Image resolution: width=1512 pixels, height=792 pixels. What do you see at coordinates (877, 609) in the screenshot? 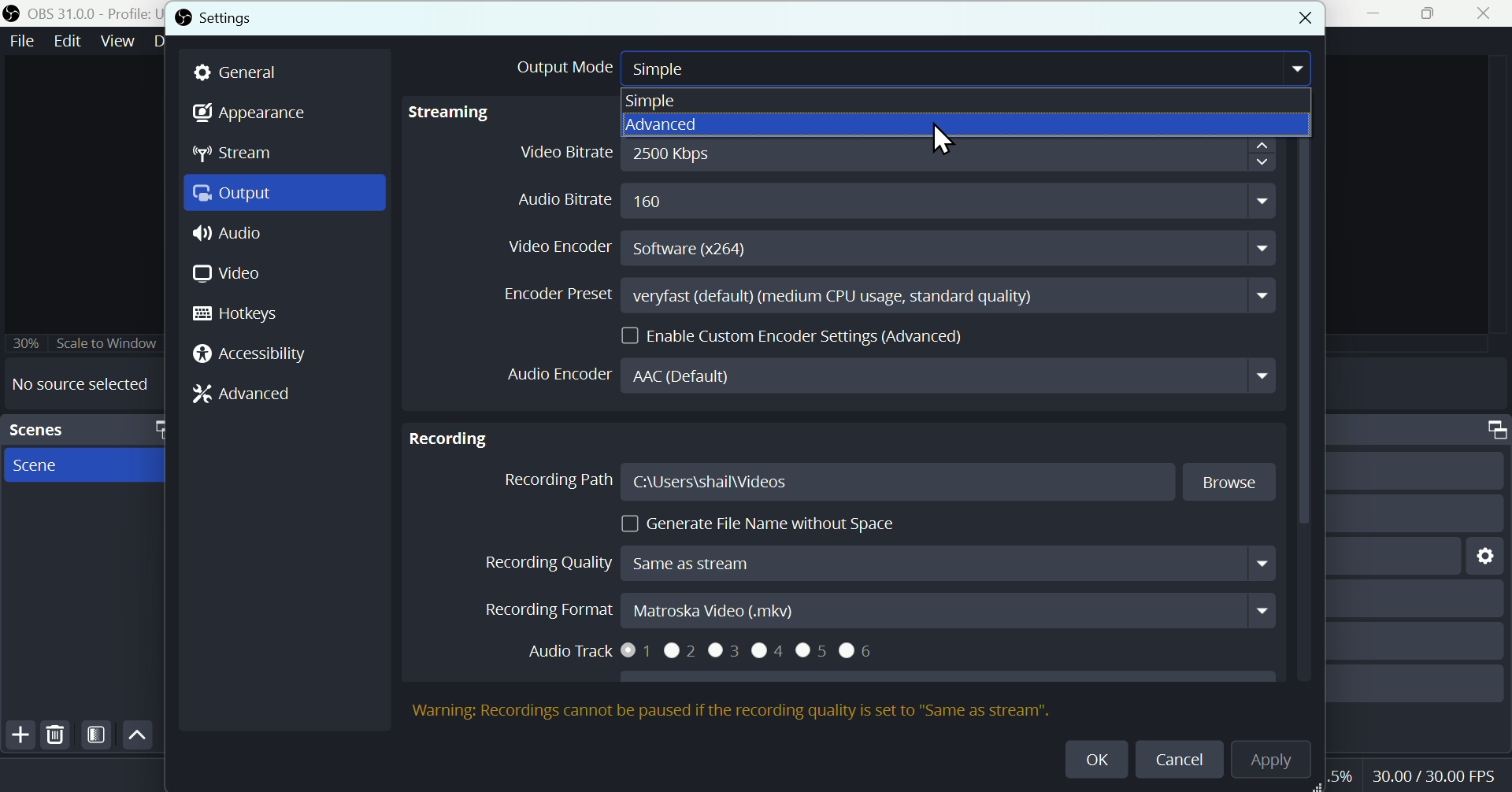
I see `Recording format` at bounding box center [877, 609].